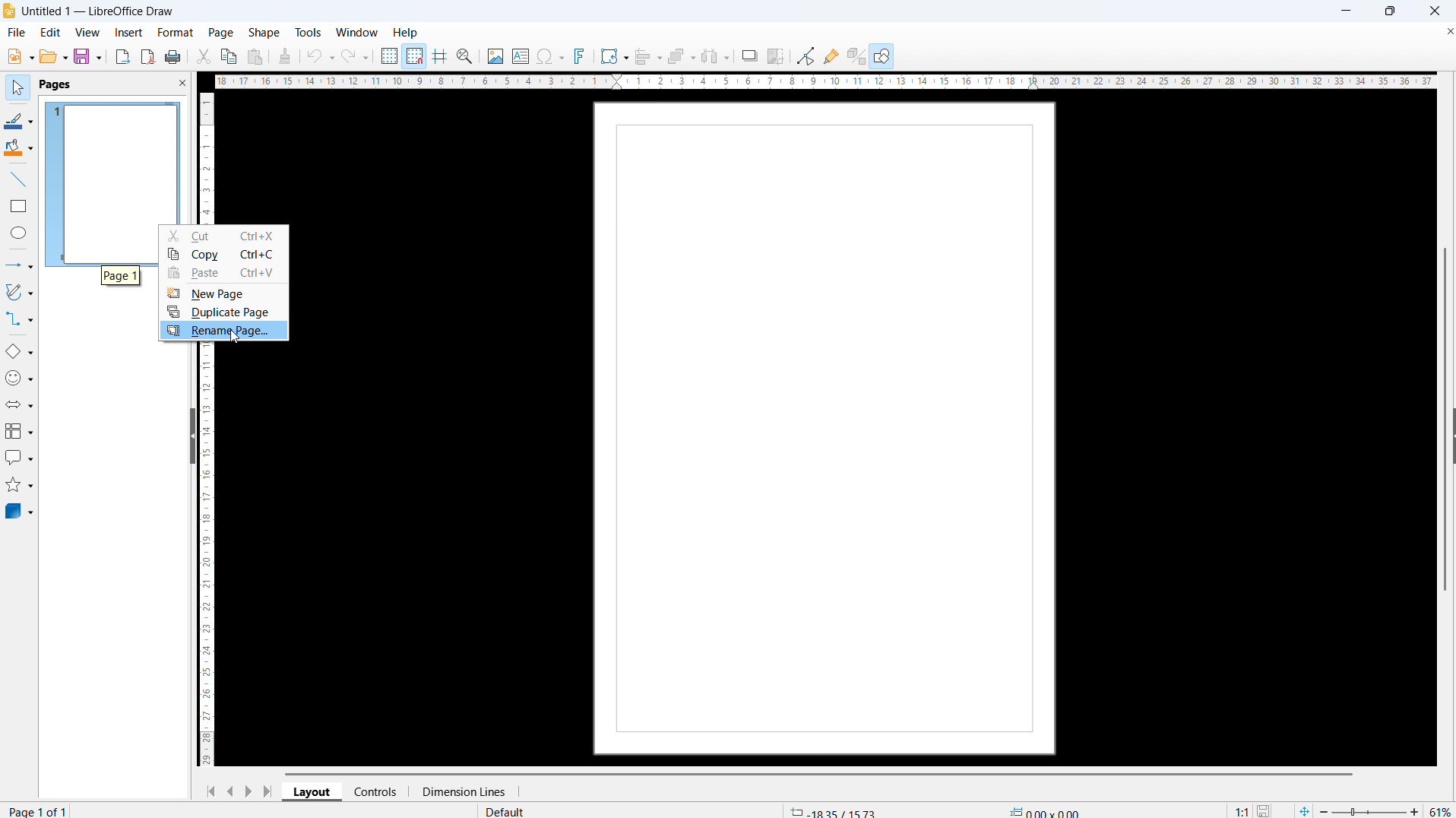 Image resolution: width=1456 pixels, height=818 pixels. I want to click on zoom slider, so click(1369, 809).